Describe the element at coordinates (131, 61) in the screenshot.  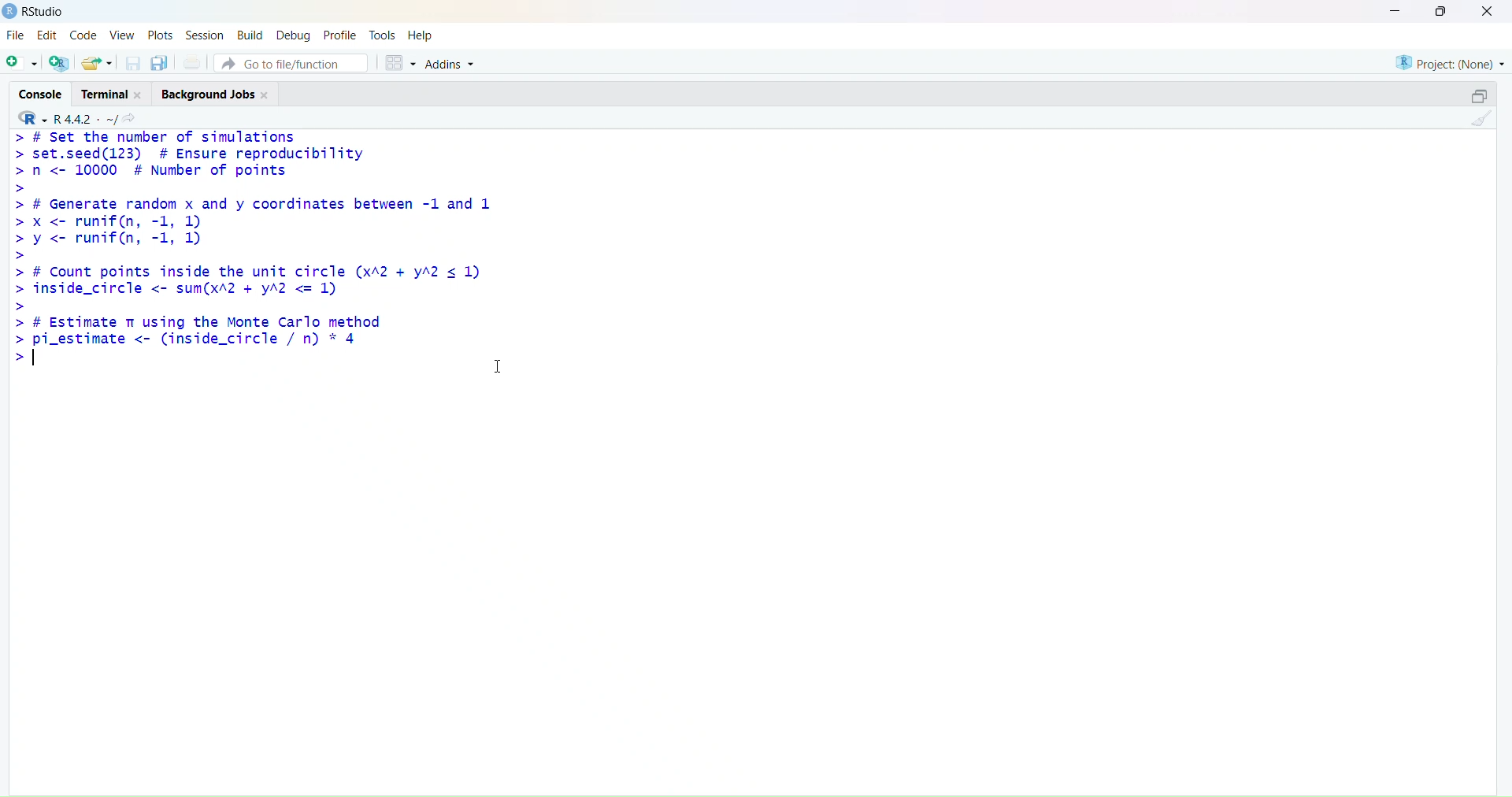
I see `Save current document (Ctrl + S)` at that location.